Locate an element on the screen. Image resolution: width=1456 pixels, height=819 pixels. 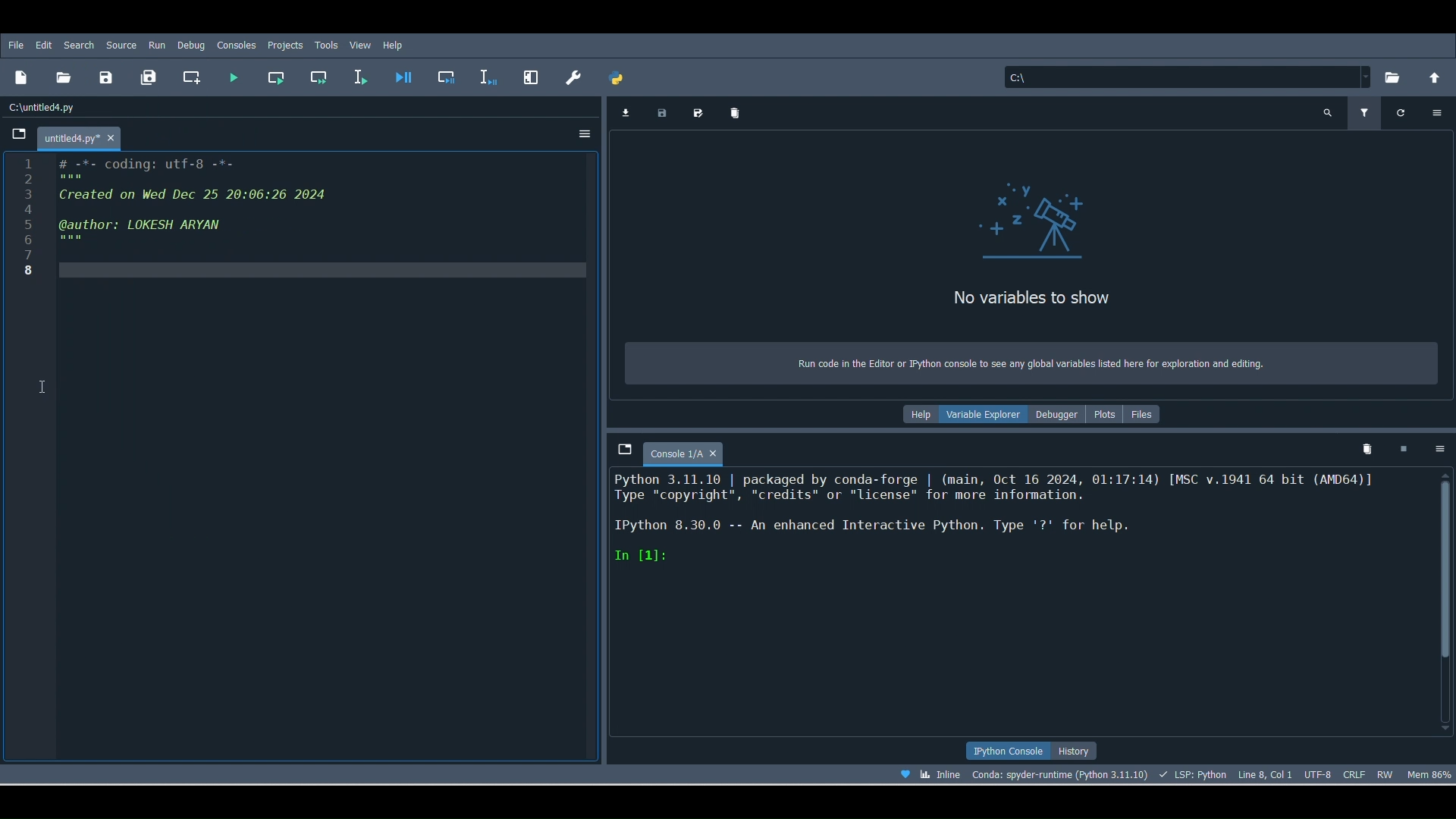
Plots is located at coordinates (1106, 419).